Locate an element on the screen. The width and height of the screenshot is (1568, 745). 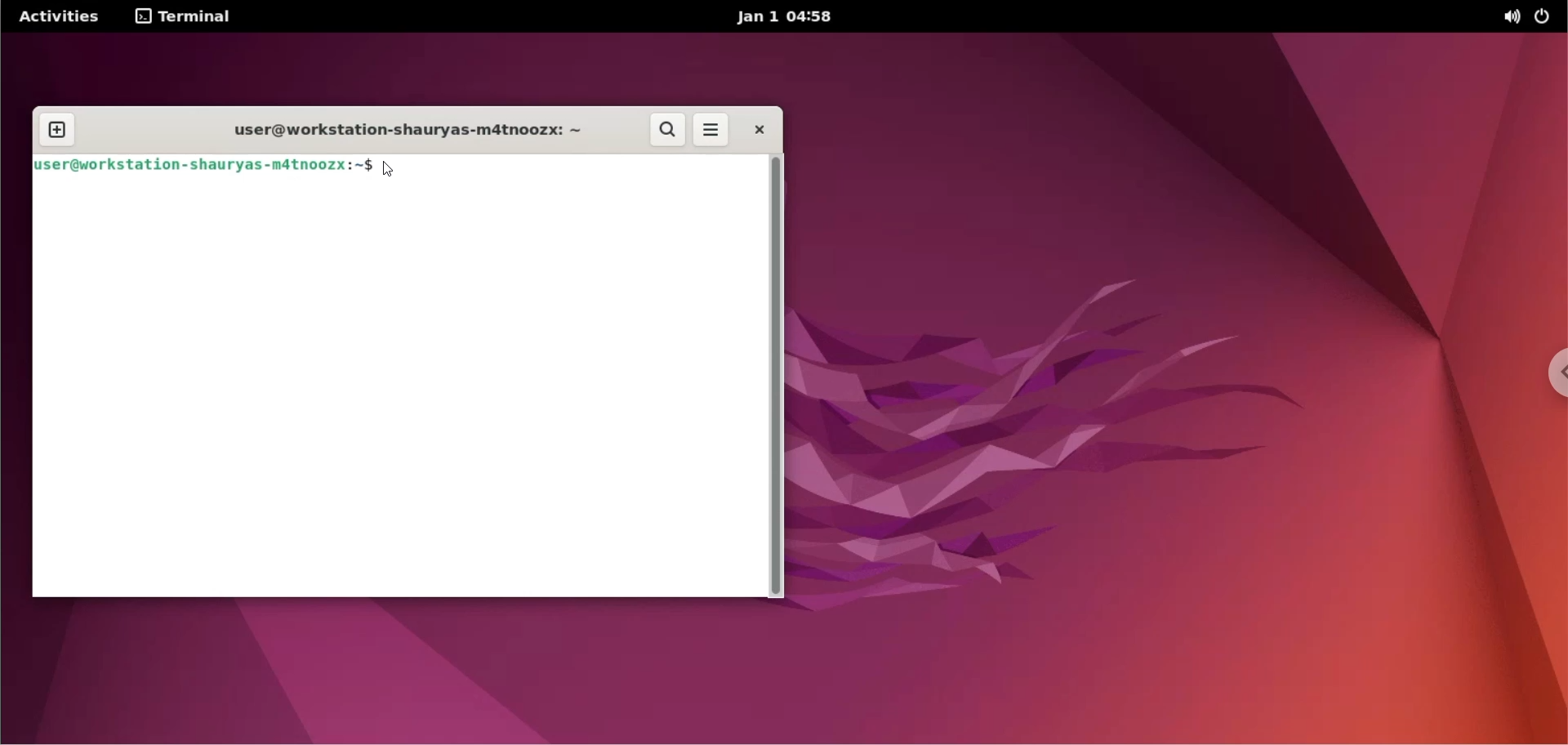
command input box is located at coordinates (398, 390).